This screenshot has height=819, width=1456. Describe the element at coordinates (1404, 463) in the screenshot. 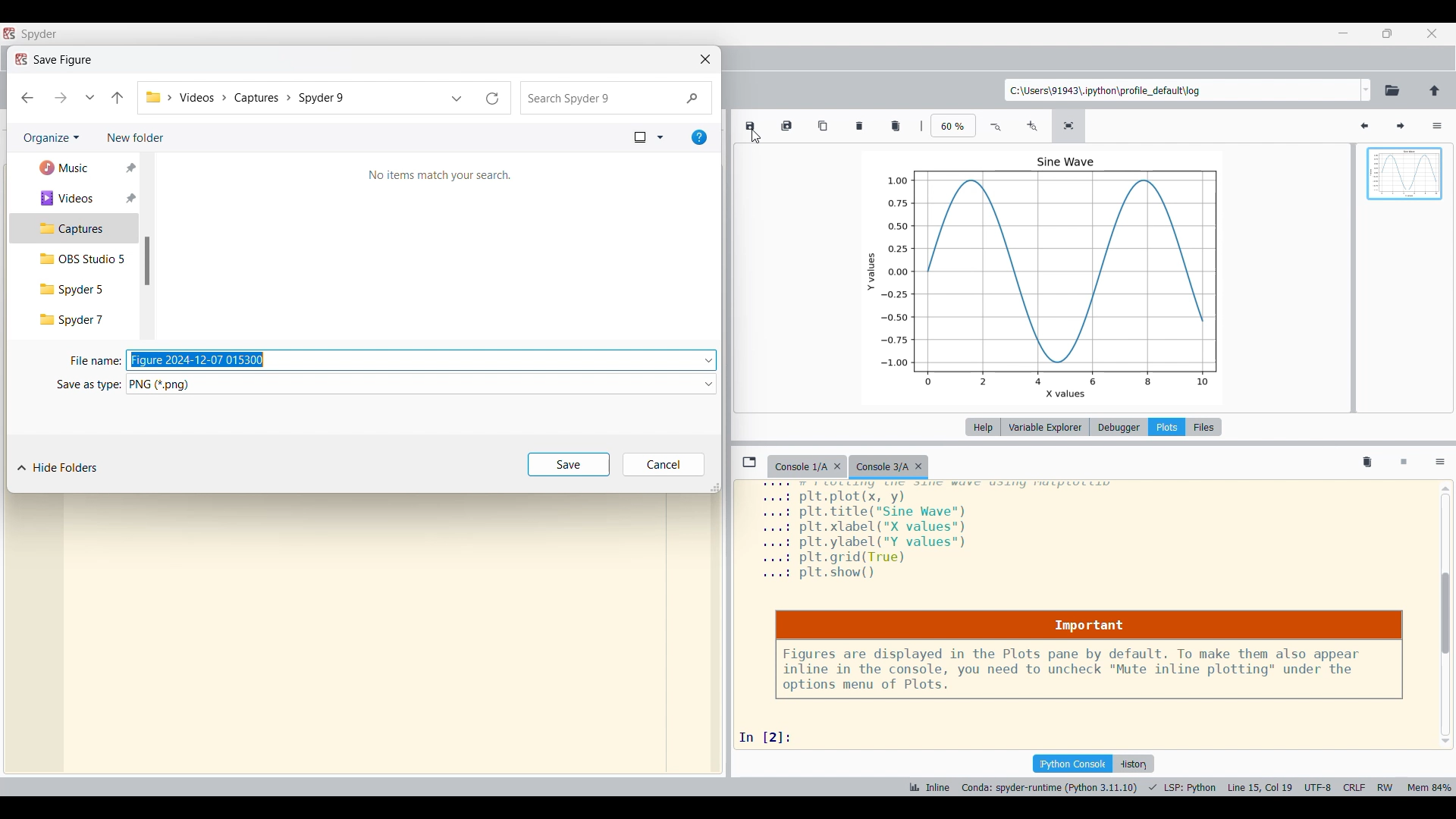

I see `Interrupt kernel` at that location.